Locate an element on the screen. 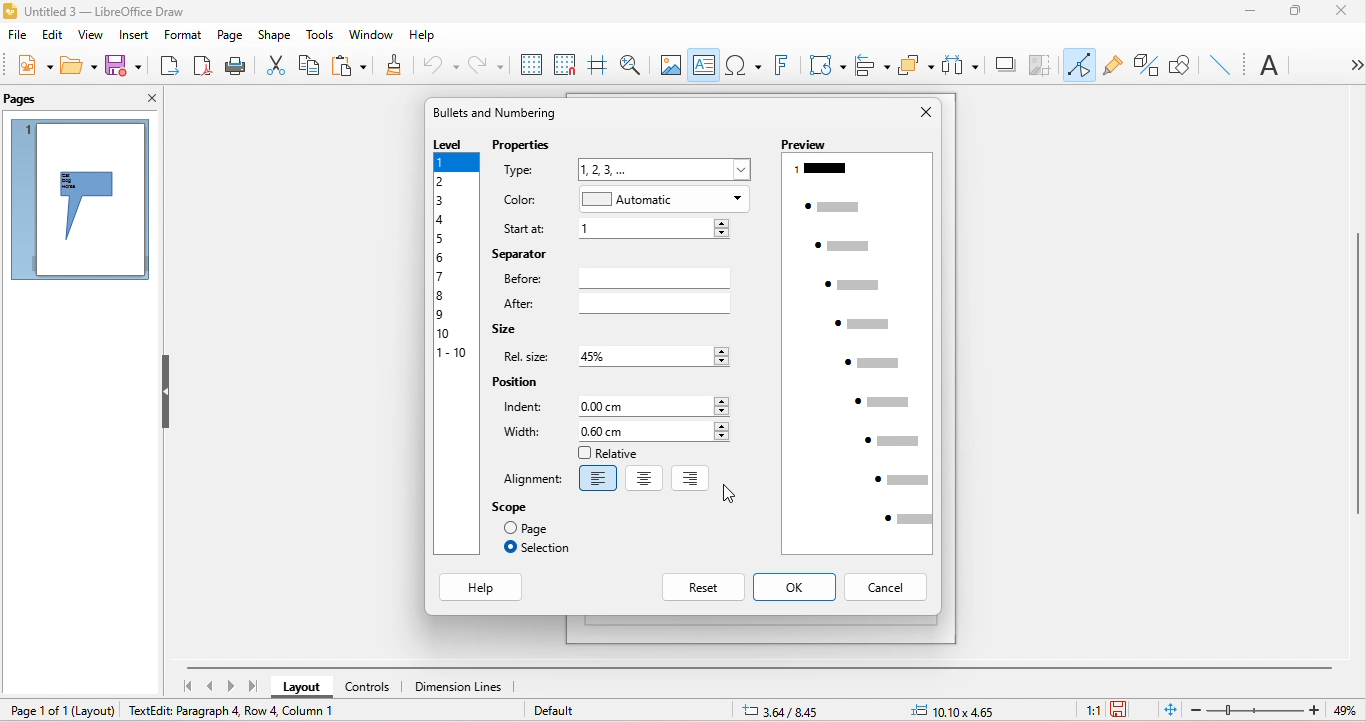 The height and width of the screenshot is (722, 1366). width is located at coordinates (520, 430).